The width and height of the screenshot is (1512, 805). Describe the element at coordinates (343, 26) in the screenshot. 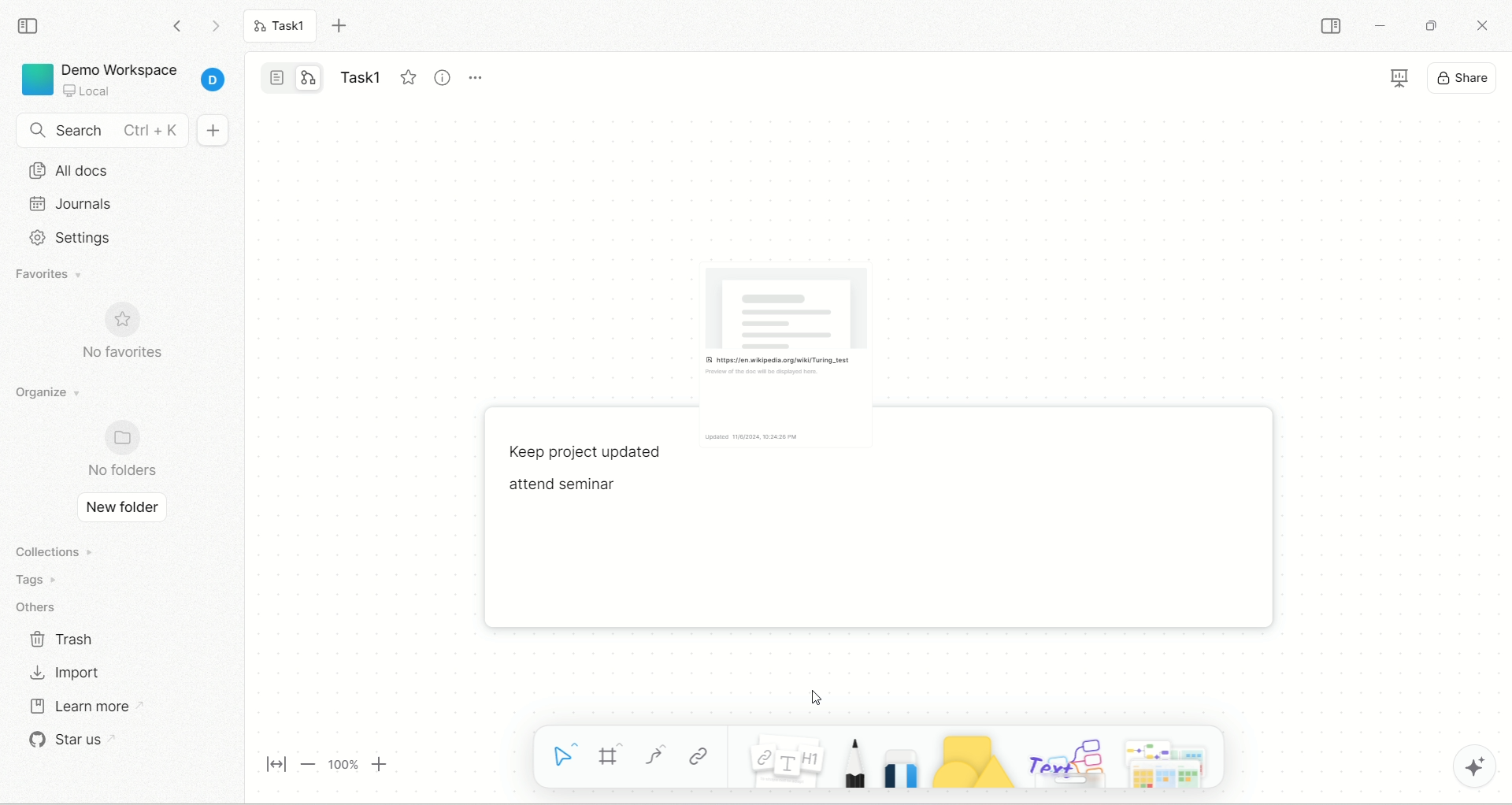

I see `new tab` at that location.